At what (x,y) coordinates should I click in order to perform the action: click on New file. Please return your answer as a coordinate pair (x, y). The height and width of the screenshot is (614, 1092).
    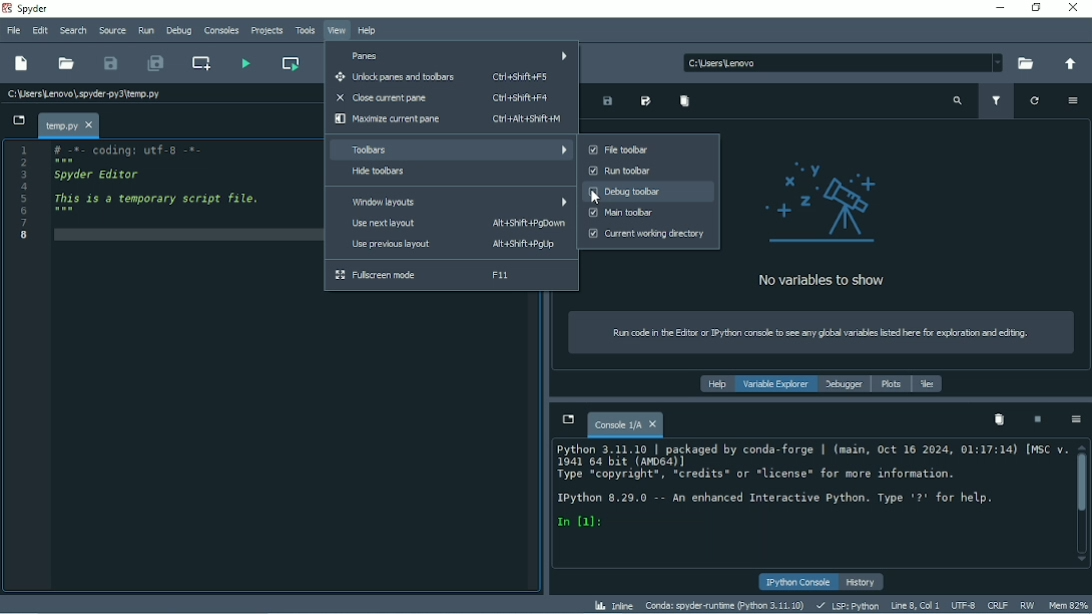
    Looking at the image, I should click on (22, 64).